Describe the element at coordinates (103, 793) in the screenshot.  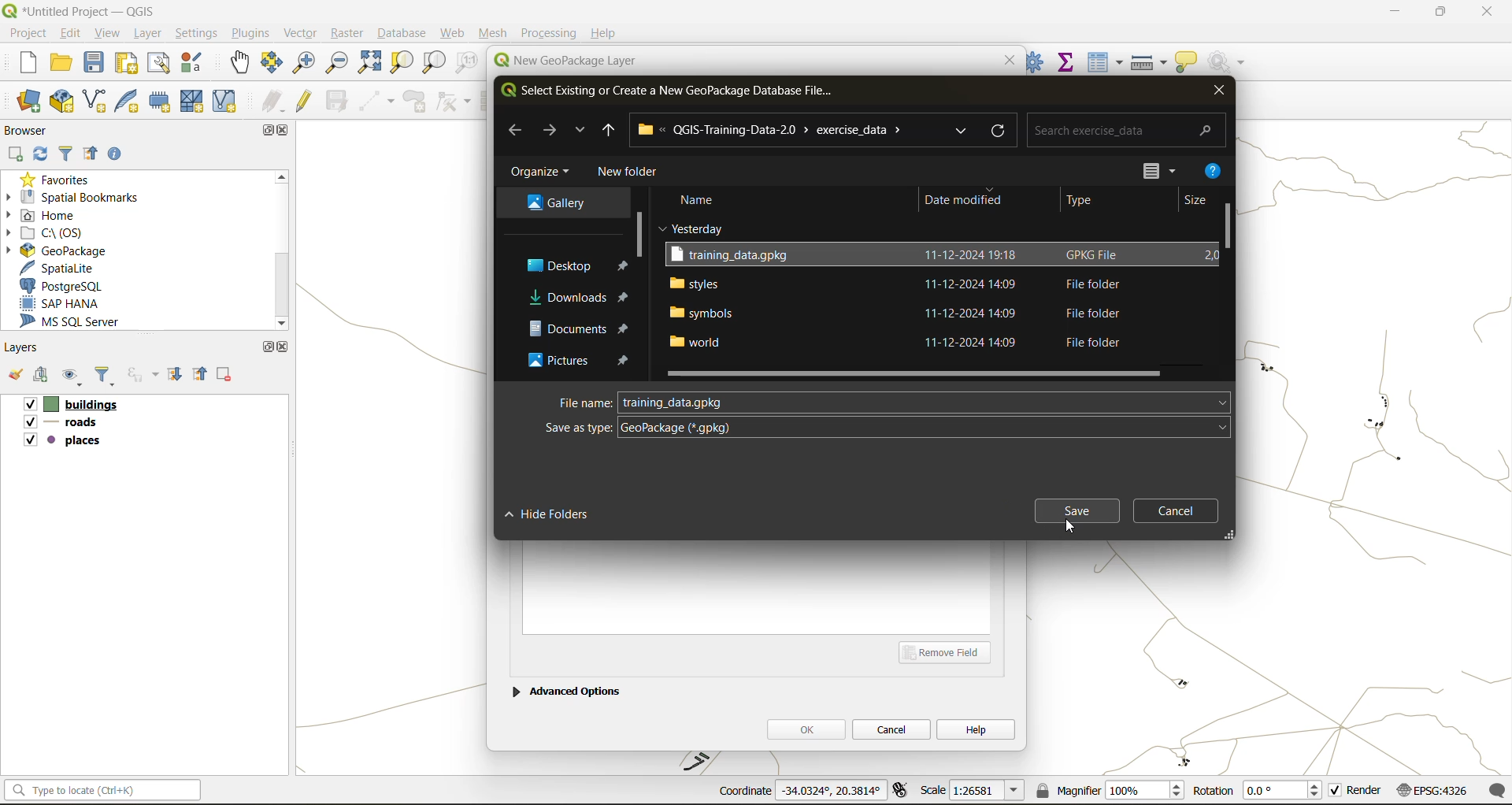
I see `Type to locate (Ctrl+K)(status bar)` at that location.